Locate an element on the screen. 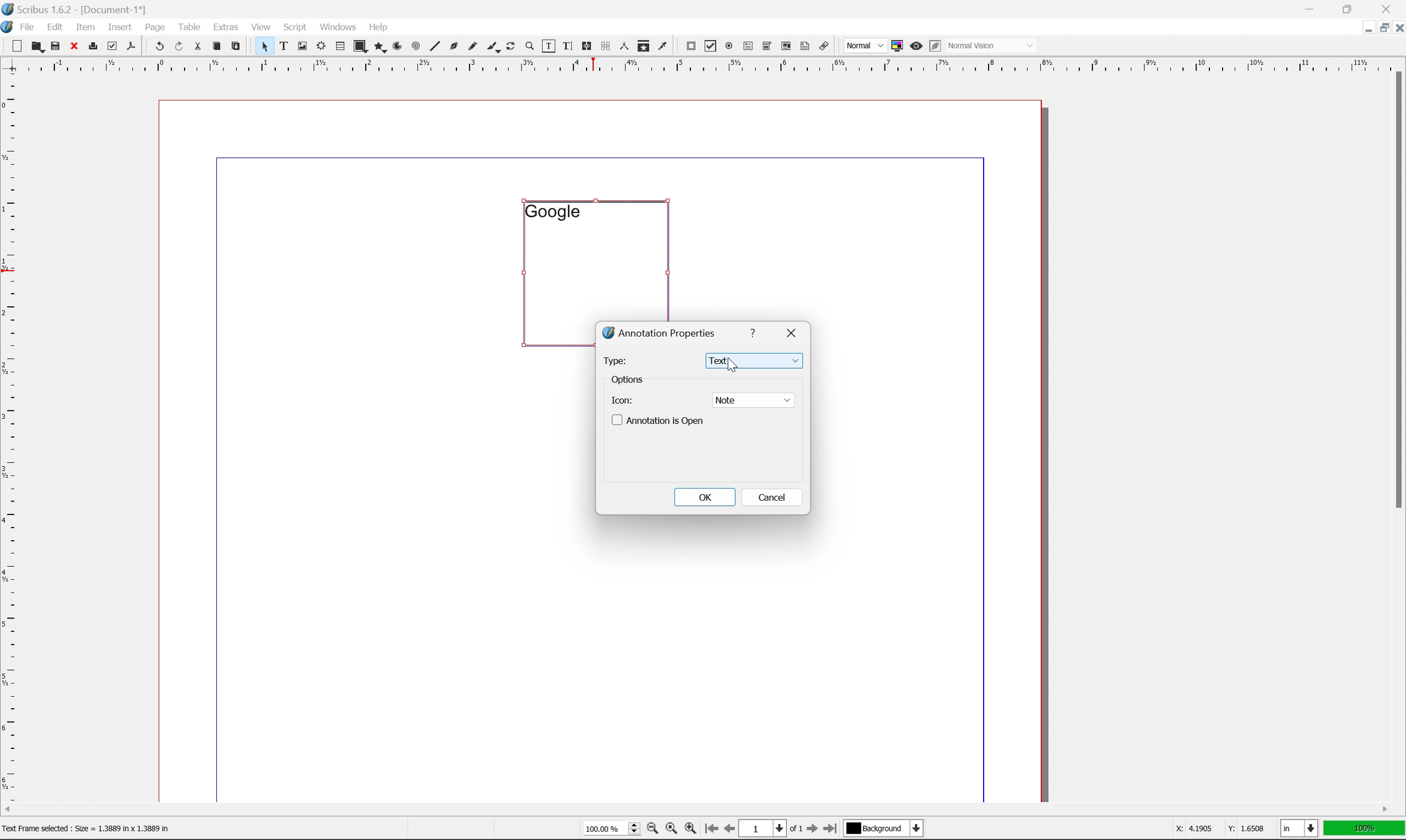  icon: is located at coordinates (622, 399).